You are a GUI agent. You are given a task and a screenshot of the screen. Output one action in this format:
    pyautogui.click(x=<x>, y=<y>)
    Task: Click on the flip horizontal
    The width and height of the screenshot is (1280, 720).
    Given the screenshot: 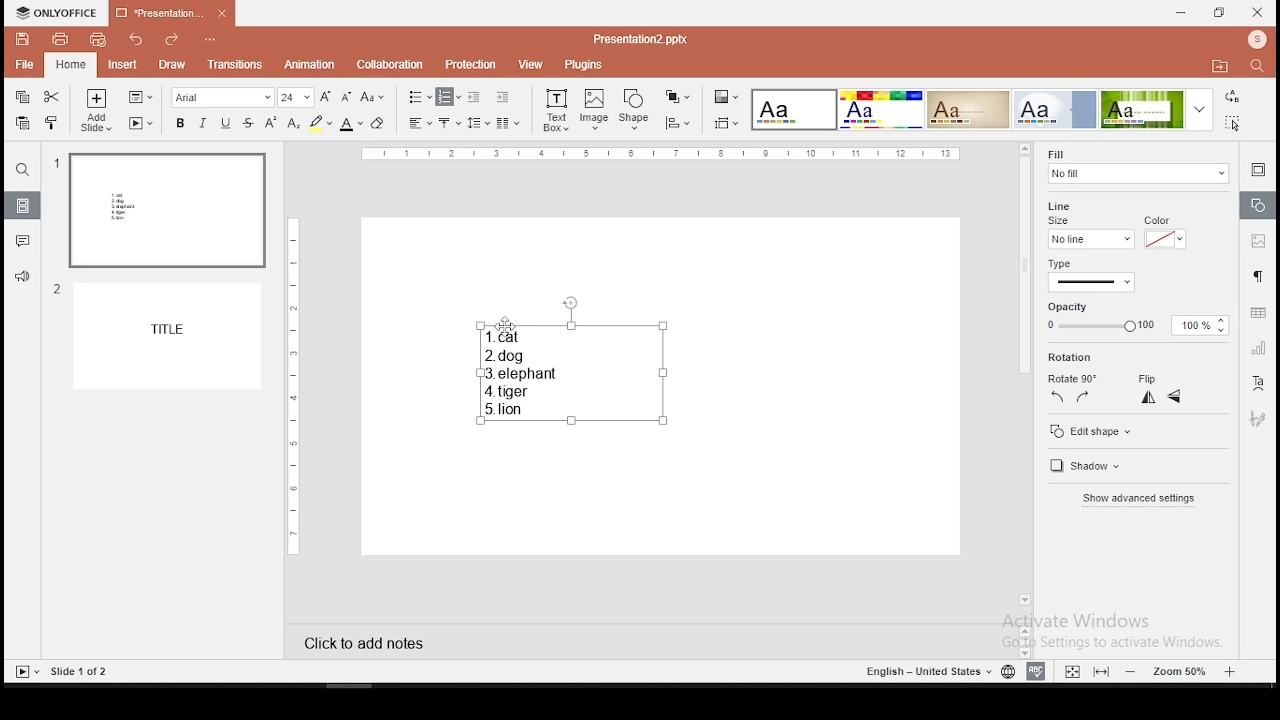 What is the action you would take?
    pyautogui.click(x=1175, y=397)
    